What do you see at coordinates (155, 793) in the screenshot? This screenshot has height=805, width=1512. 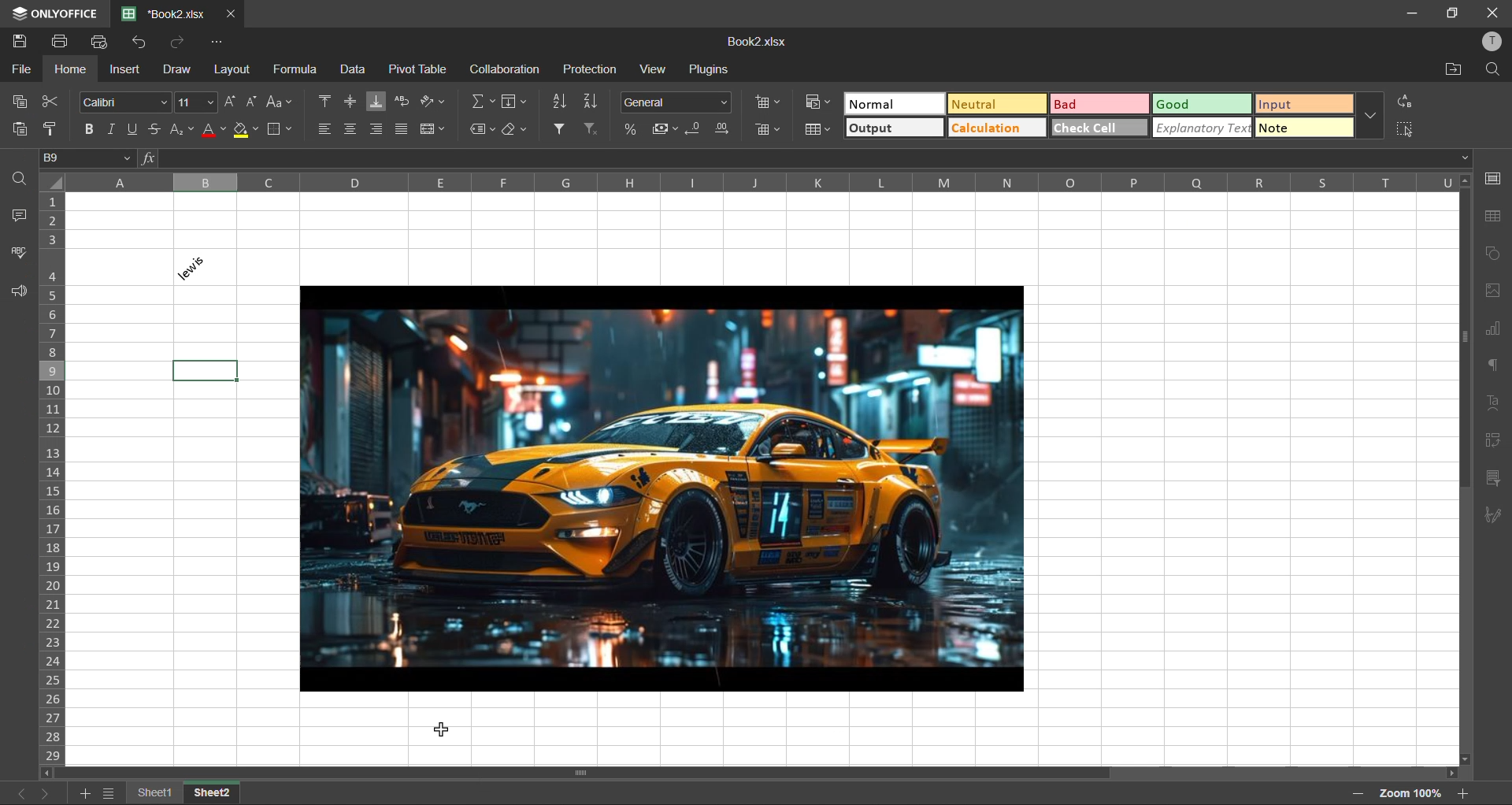 I see `Sheet1` at bounding box center [155, 793].